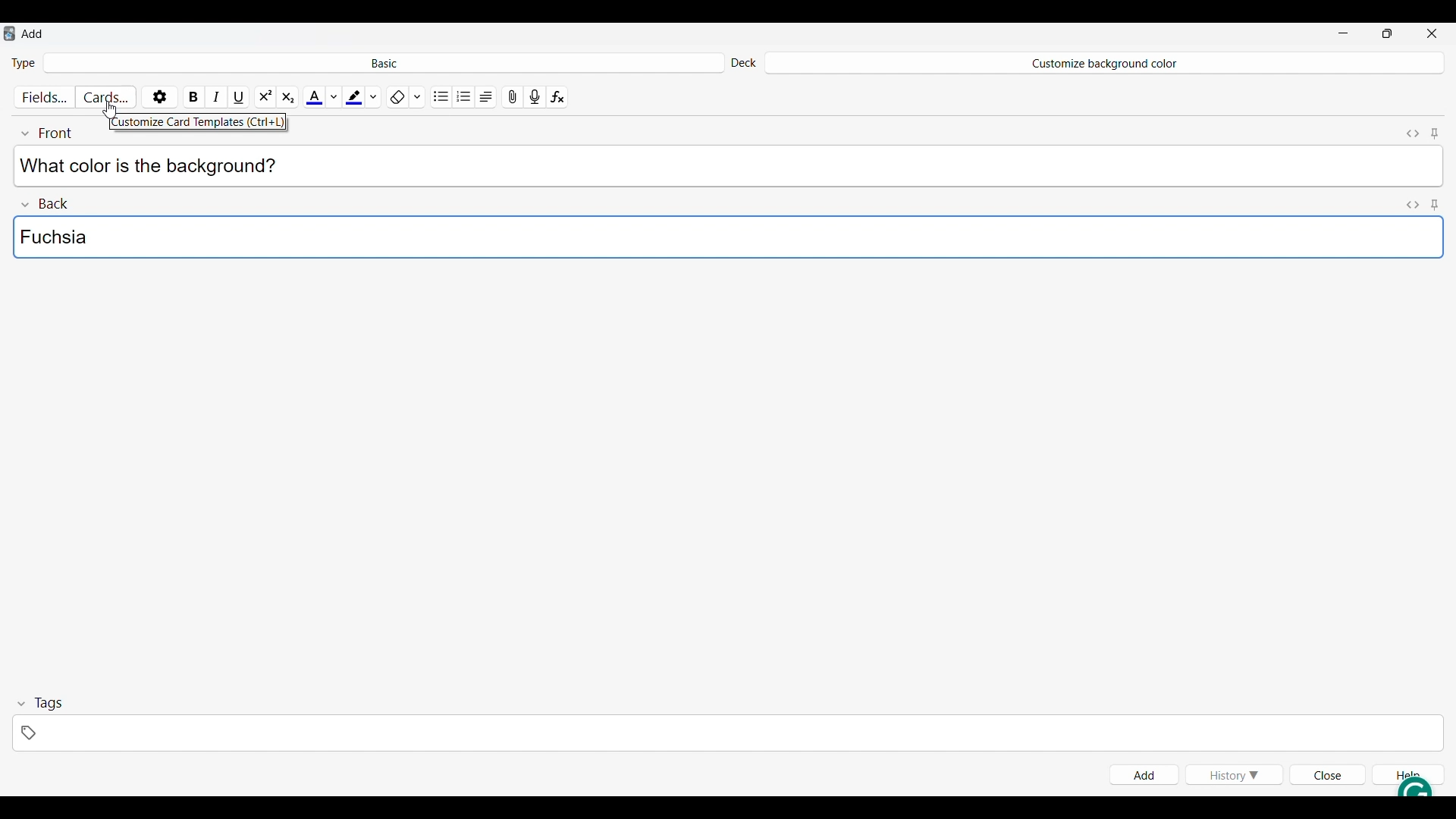 The height and width of the screenshot is (819, 1456). What do you see at coordinates (442, 95) in the screenshot?
I see `Unordered list` at bounding box center [442, 95].